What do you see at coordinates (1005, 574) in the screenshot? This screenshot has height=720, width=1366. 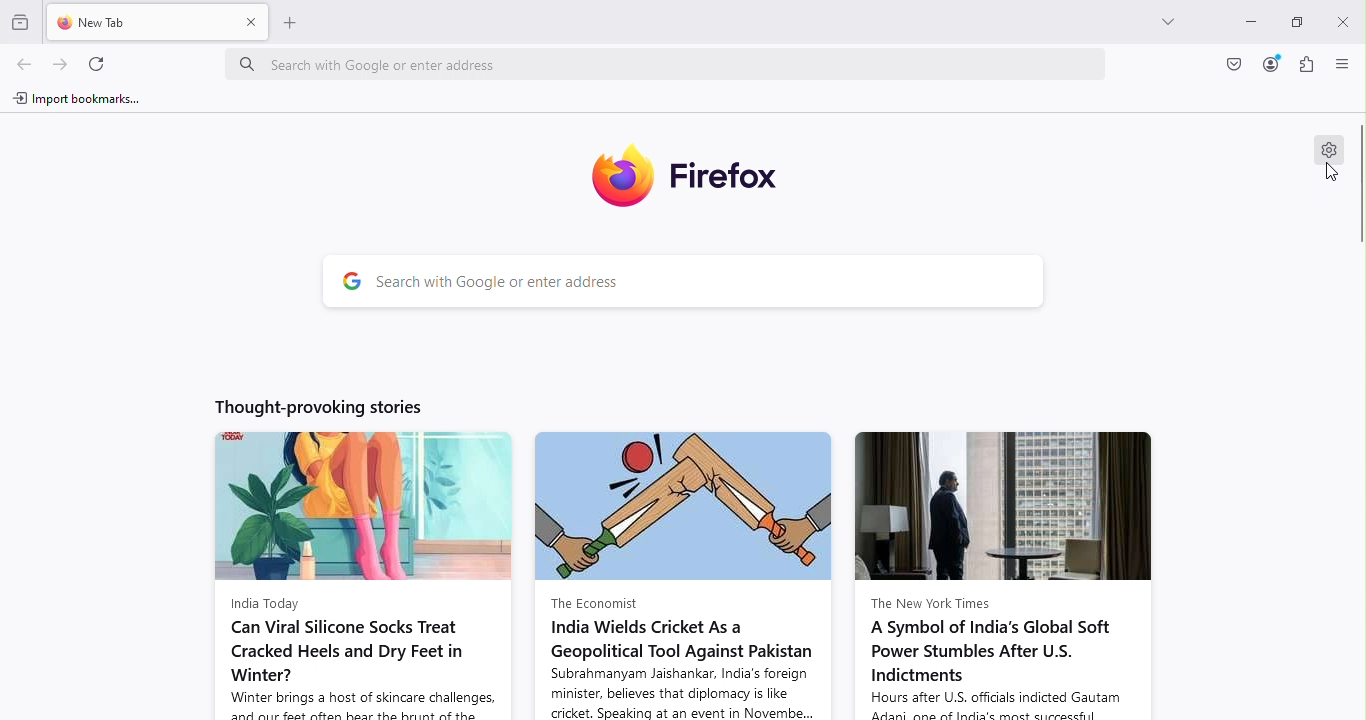 I see `news article by the new york times` at bounding box center [1005, 574].